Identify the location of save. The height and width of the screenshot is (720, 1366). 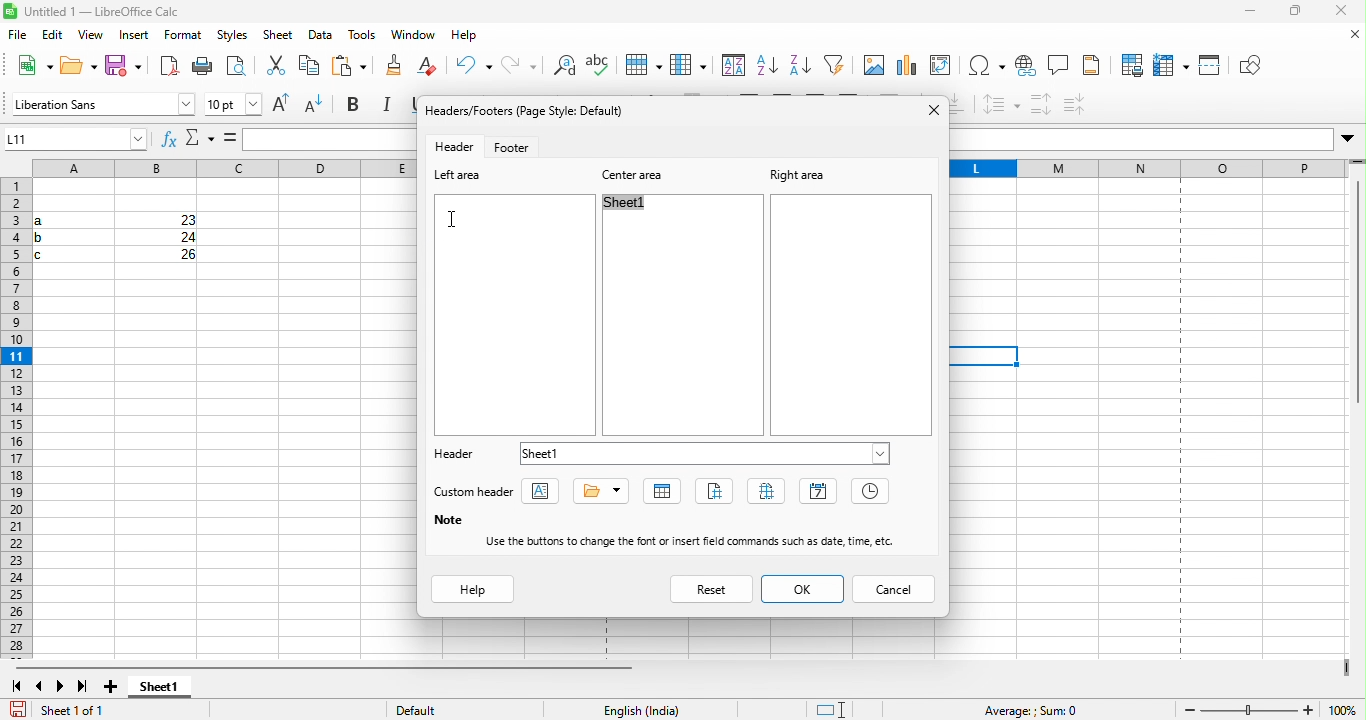
(123, 67).